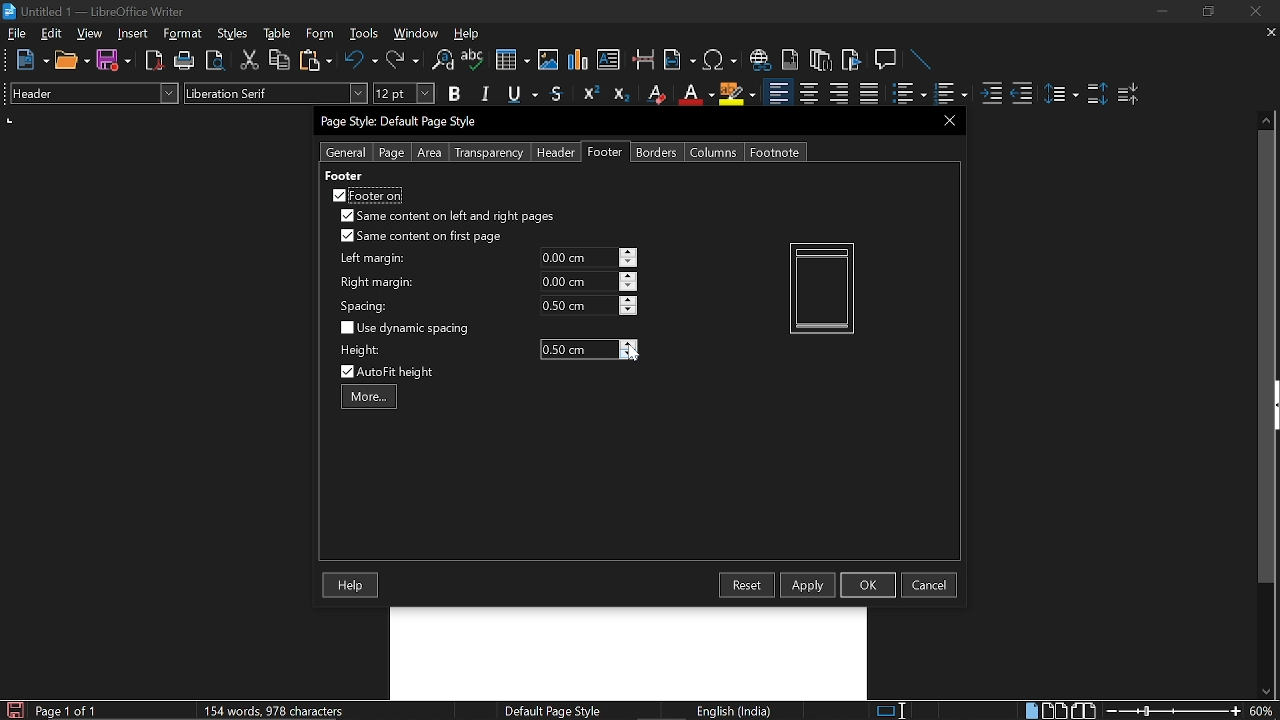  I want to click on Apply, so click(808, 584).